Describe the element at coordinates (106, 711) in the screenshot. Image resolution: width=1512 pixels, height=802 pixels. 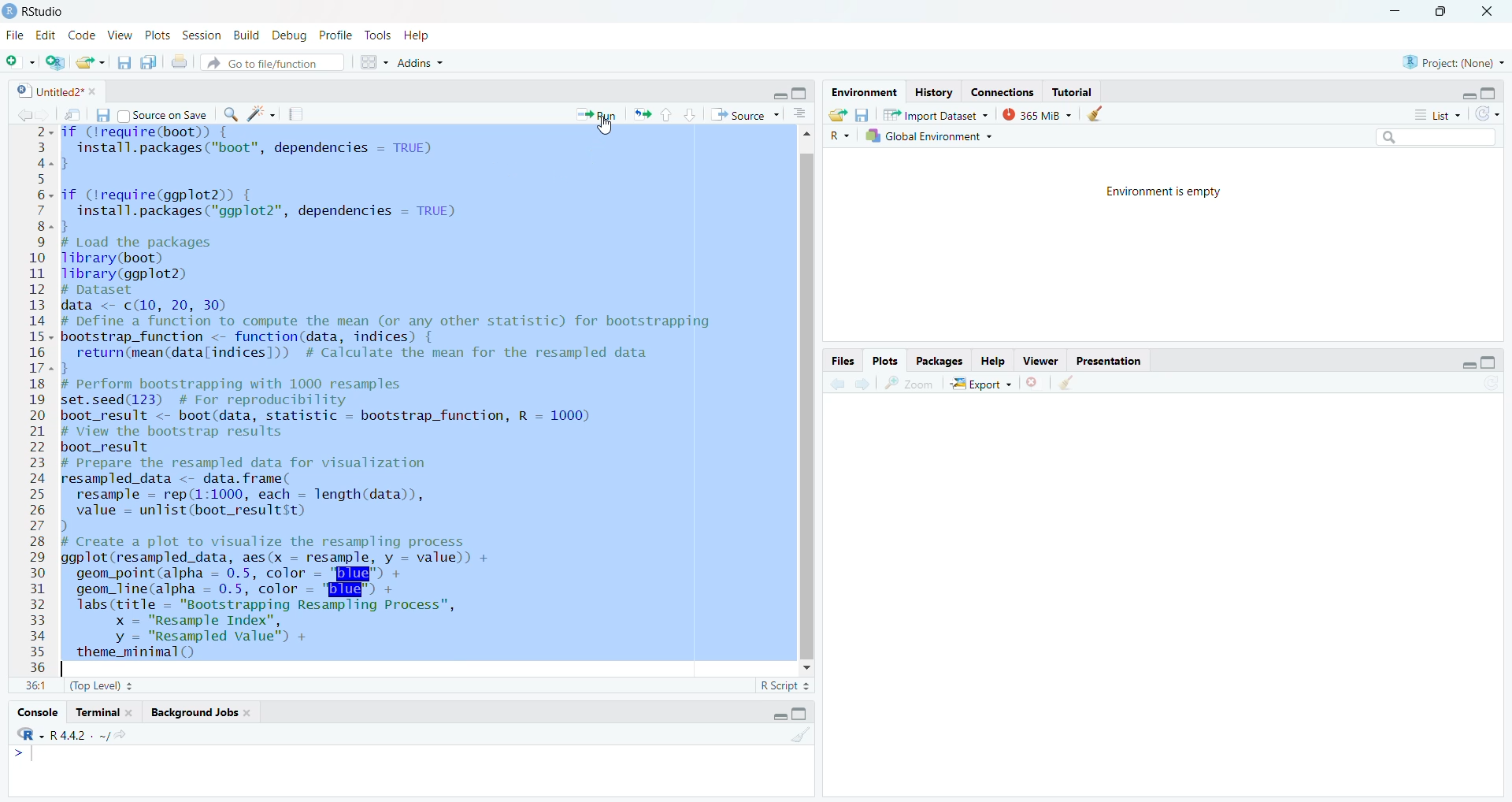
I see `terminal` at that location.